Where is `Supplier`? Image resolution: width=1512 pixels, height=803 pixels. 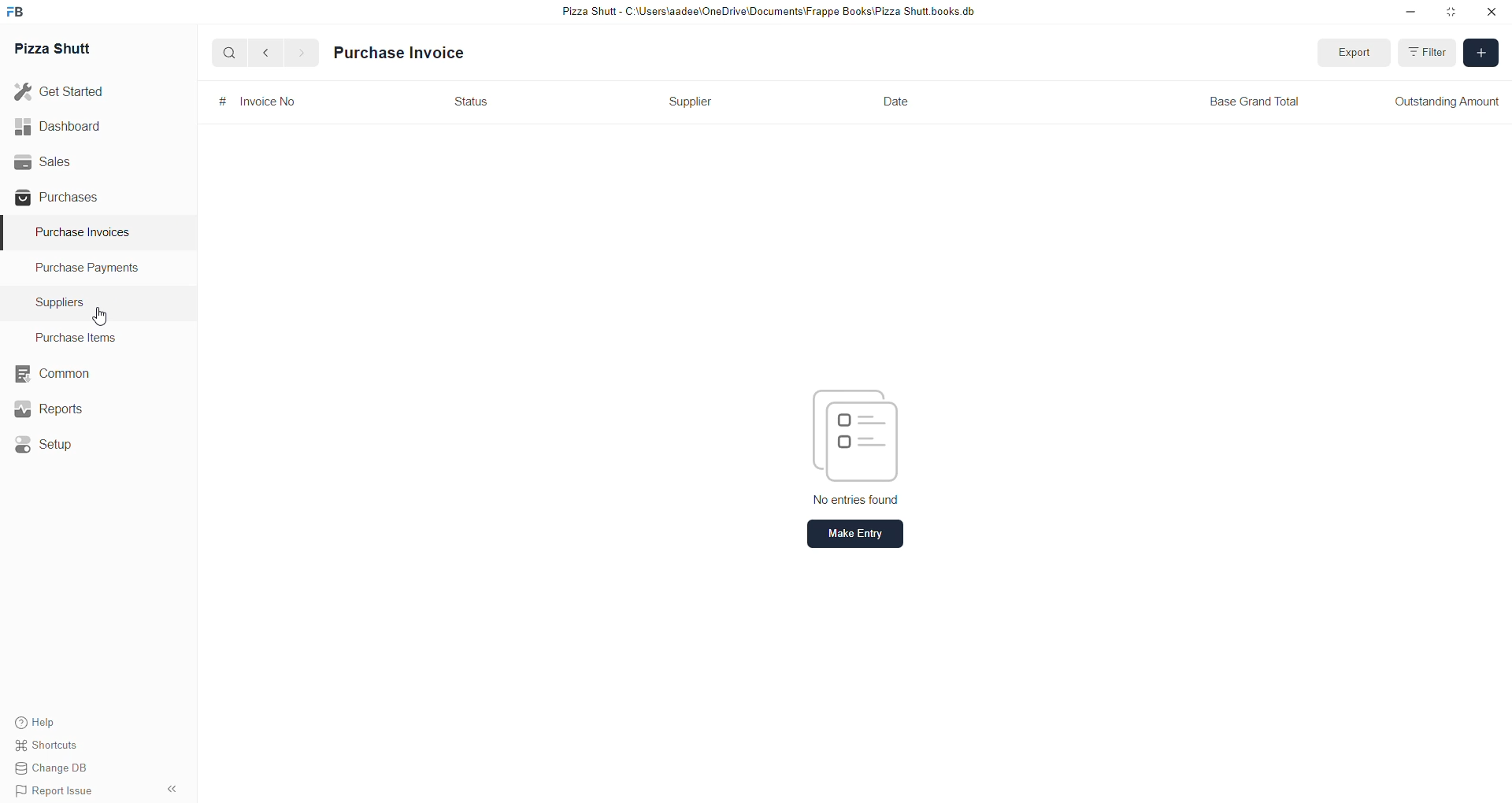
Supplier is located at coordinates (688, 102).